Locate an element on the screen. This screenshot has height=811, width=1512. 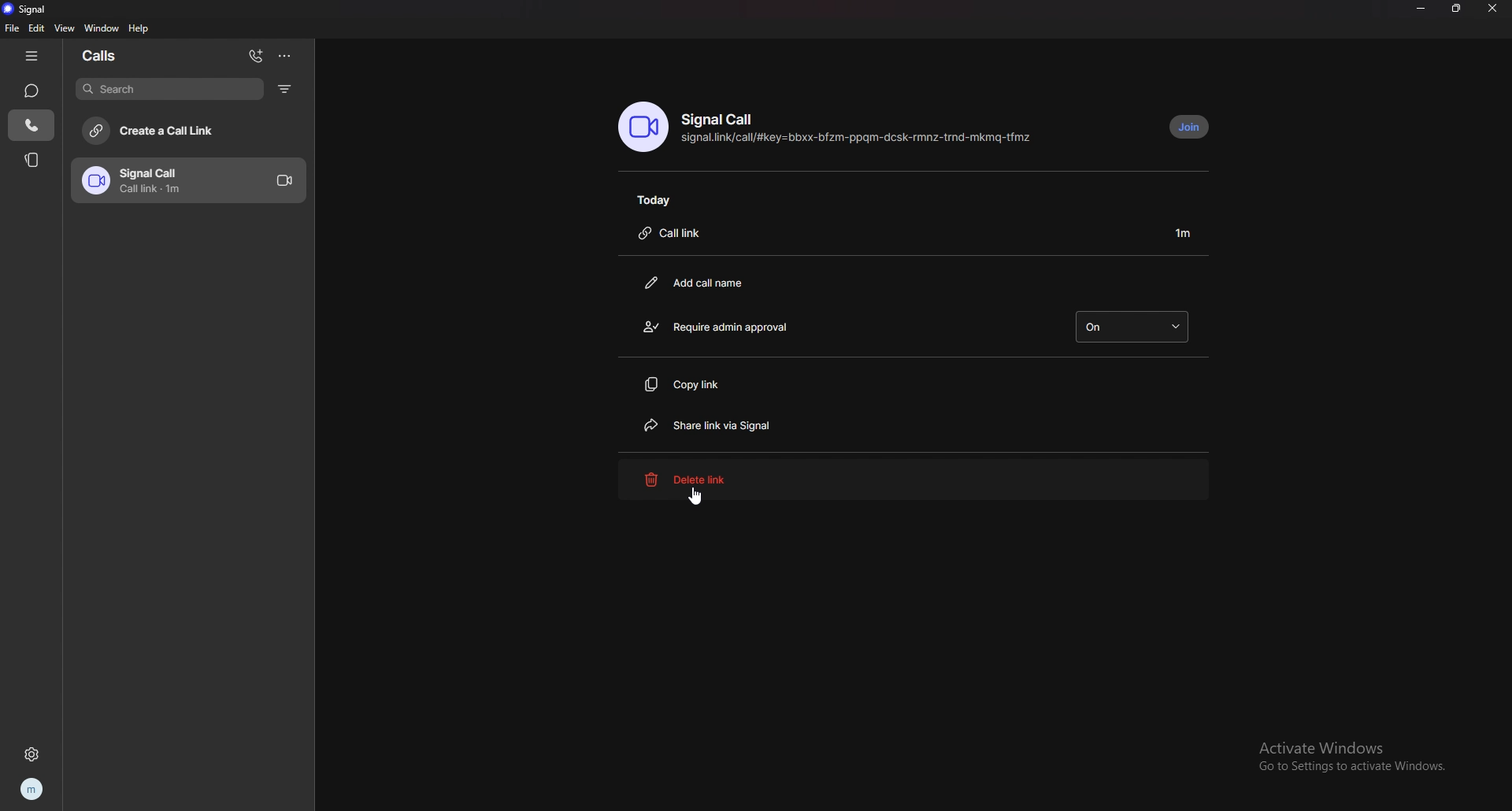
require admin approval is located at coordinates (720, 325).